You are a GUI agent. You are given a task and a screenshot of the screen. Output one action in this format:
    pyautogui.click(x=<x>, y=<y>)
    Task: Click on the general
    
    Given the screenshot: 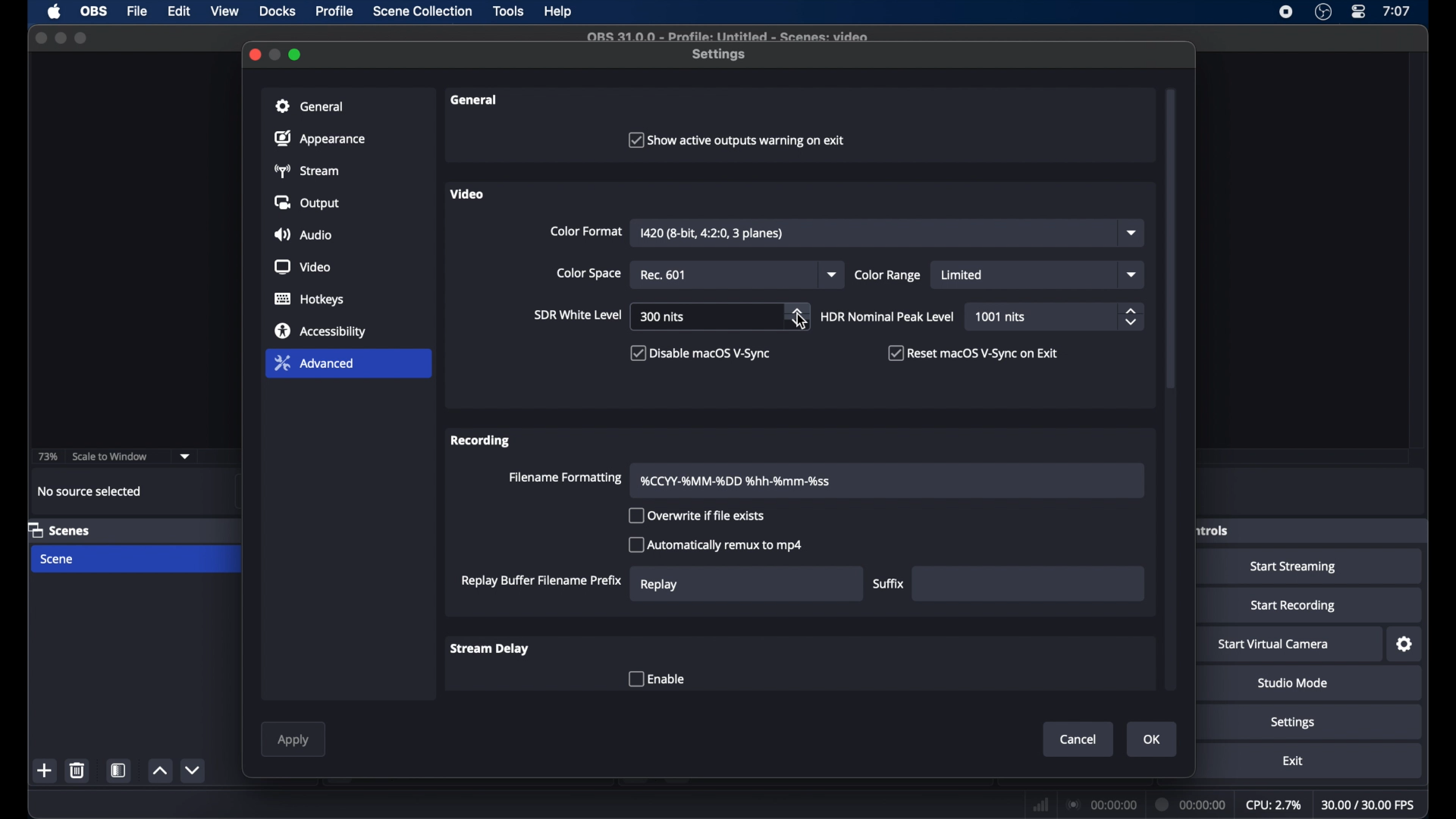 What is the action you would take?
    pyautogui.click(x=476, y=99)
    